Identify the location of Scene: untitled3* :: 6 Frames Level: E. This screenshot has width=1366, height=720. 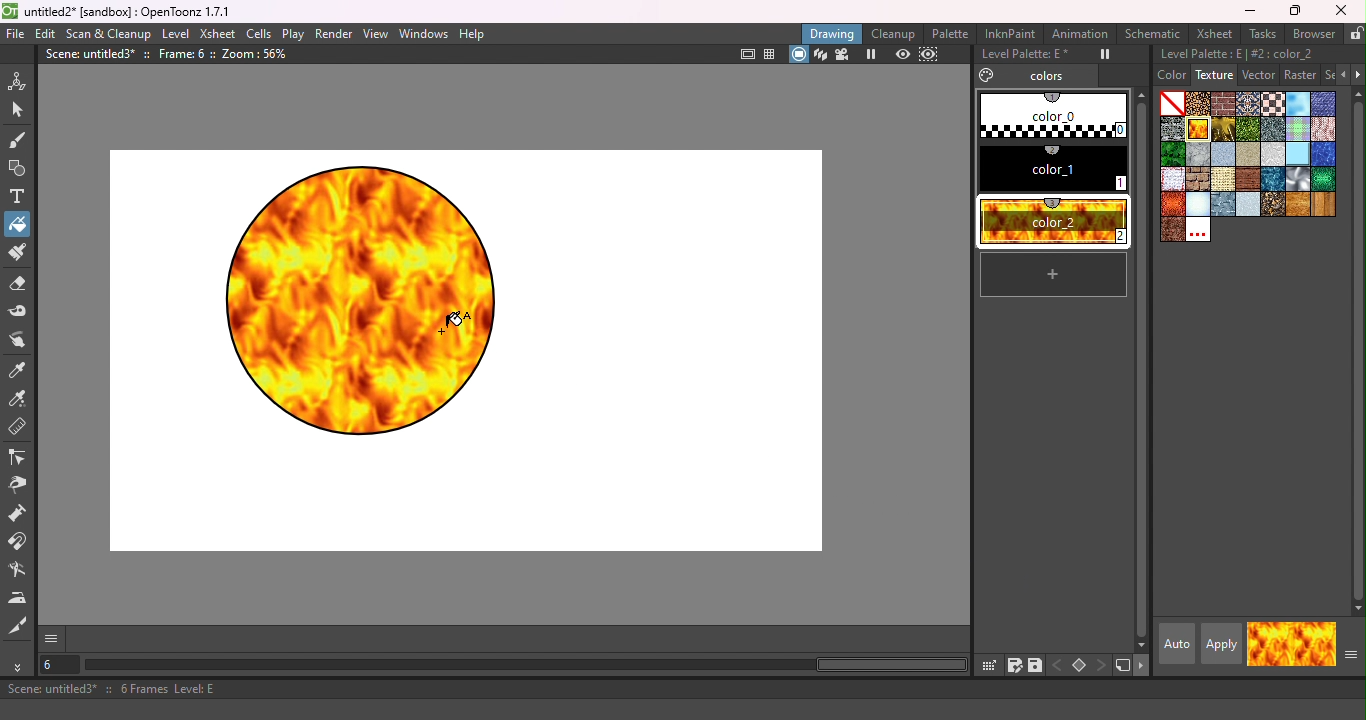
(683, 691).